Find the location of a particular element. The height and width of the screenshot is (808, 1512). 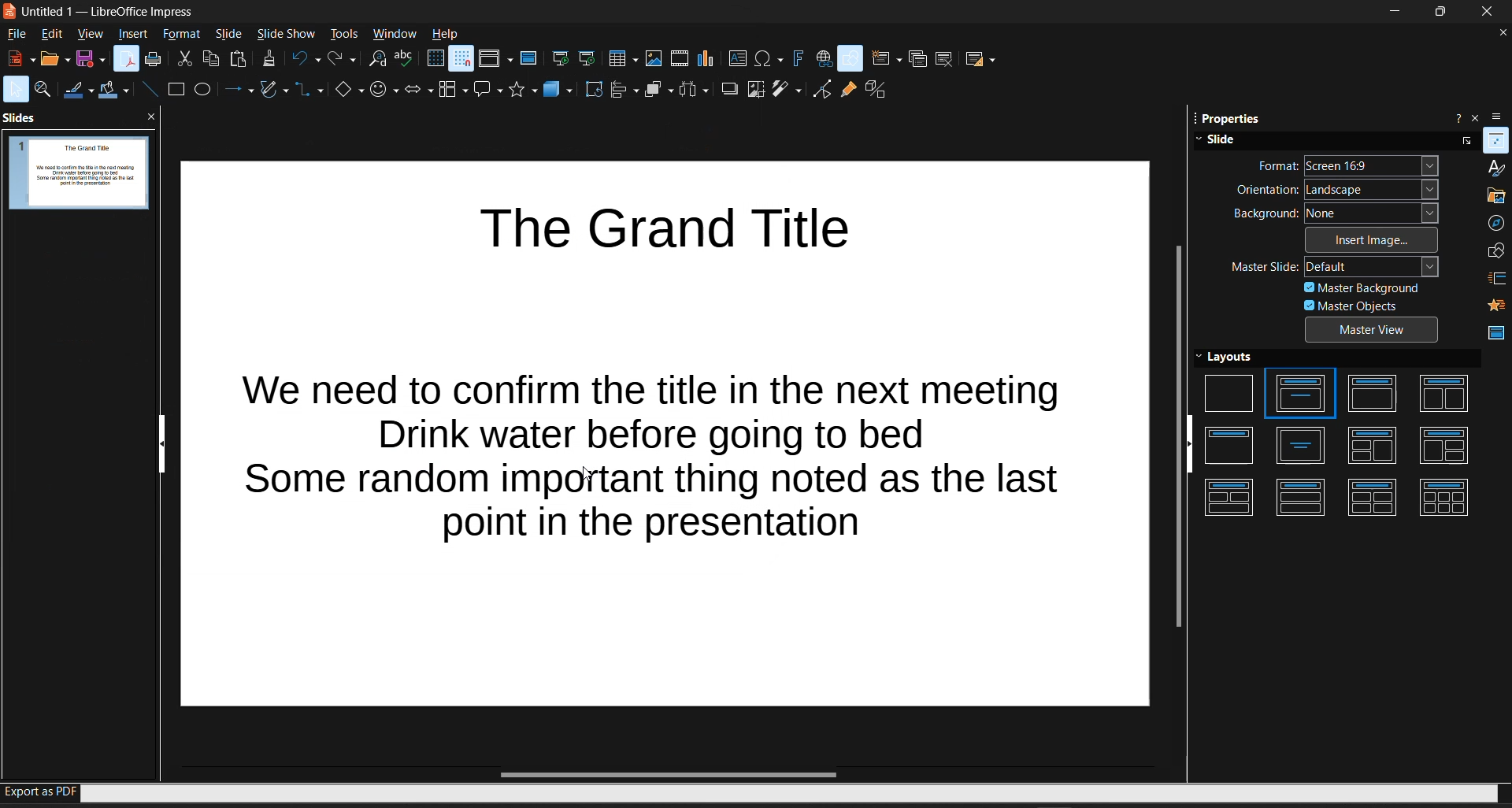

symbol shapes is located at coordinates (383, 90).